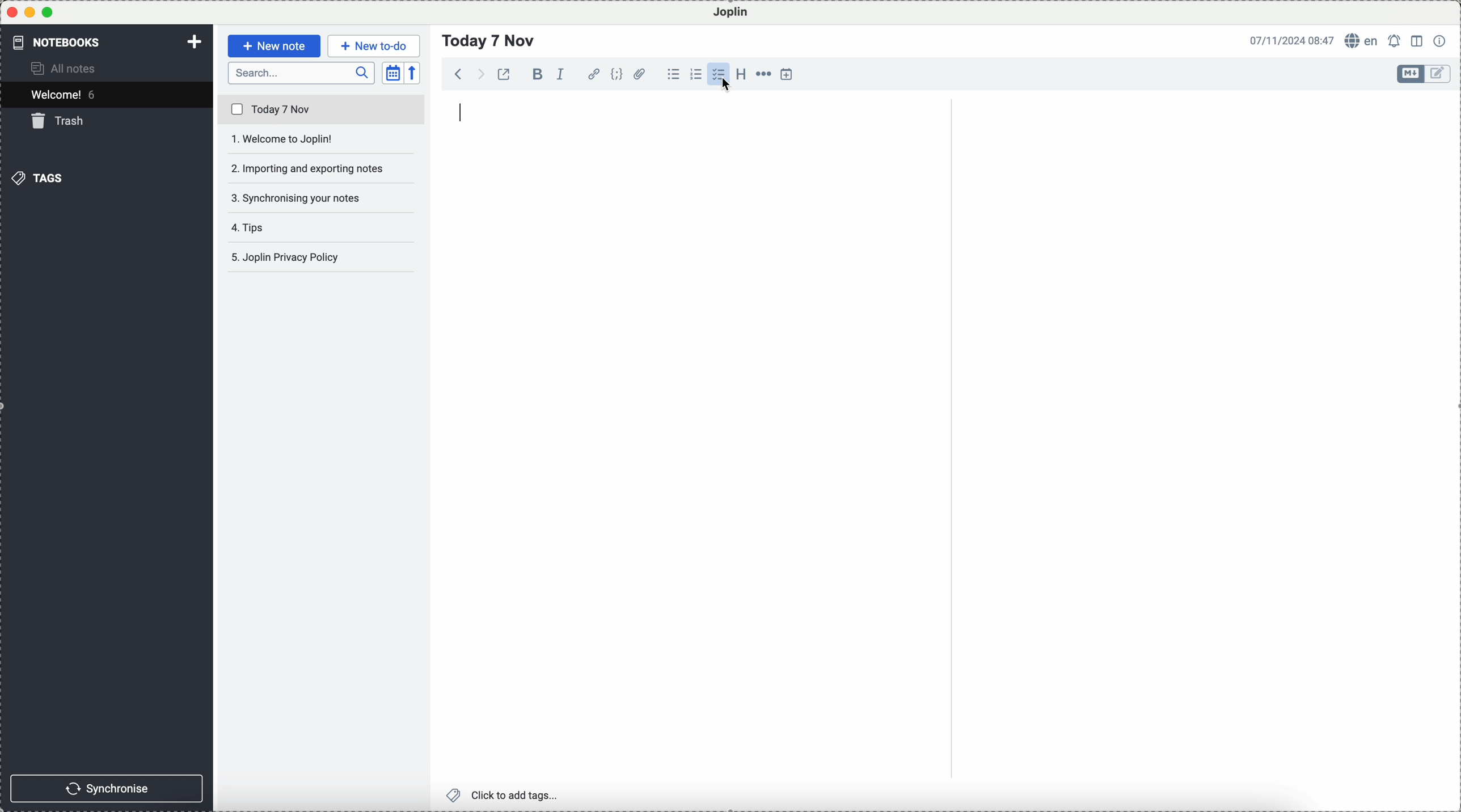 The image size is (1461, 812). What do you see at coordinates (504, 74) in the screenshot?
I see `toggle external editing` at bounding box center [504, 74].